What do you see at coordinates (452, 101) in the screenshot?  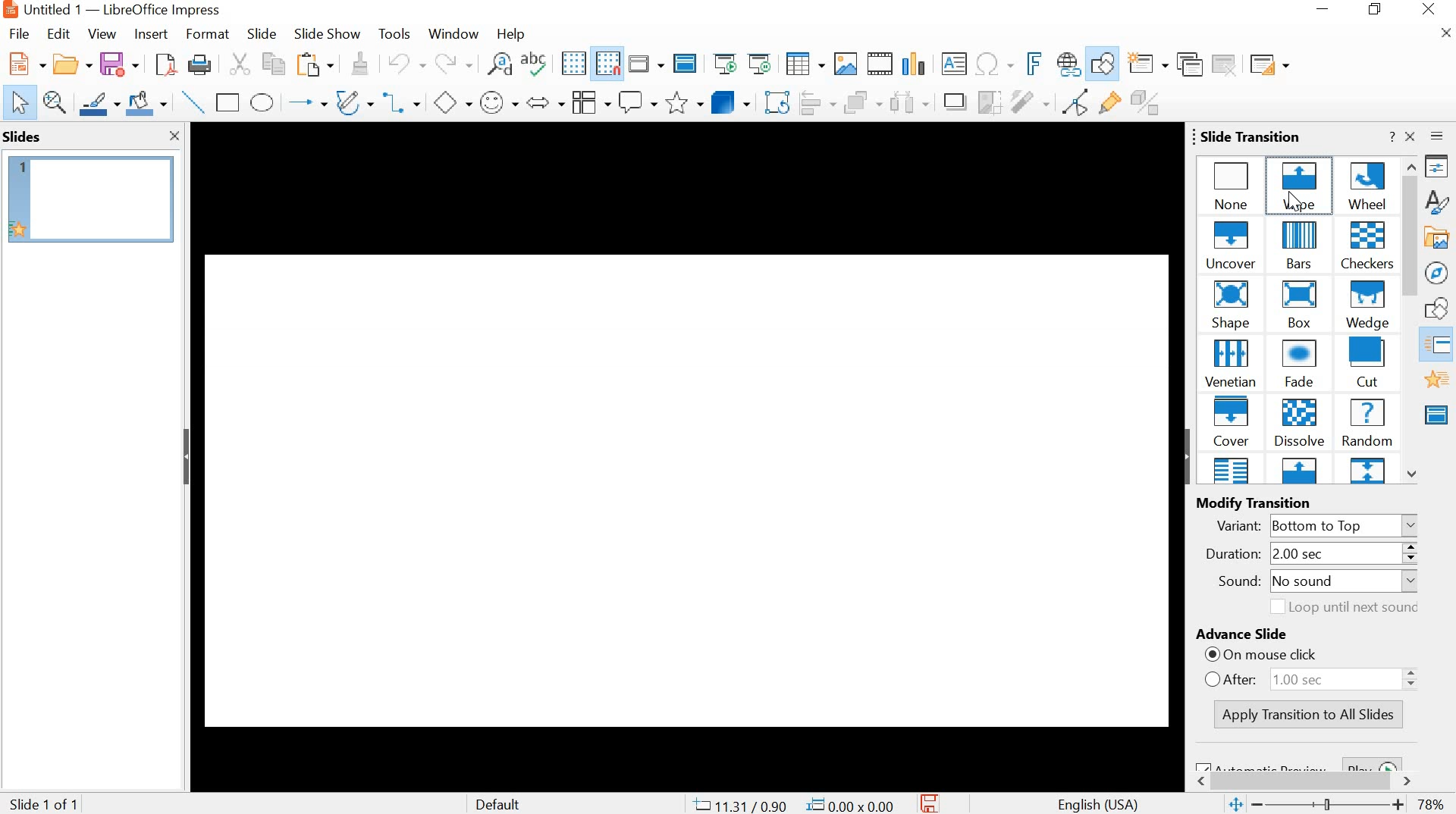 I see `Basic shapes` at bounding box center [452, 101].